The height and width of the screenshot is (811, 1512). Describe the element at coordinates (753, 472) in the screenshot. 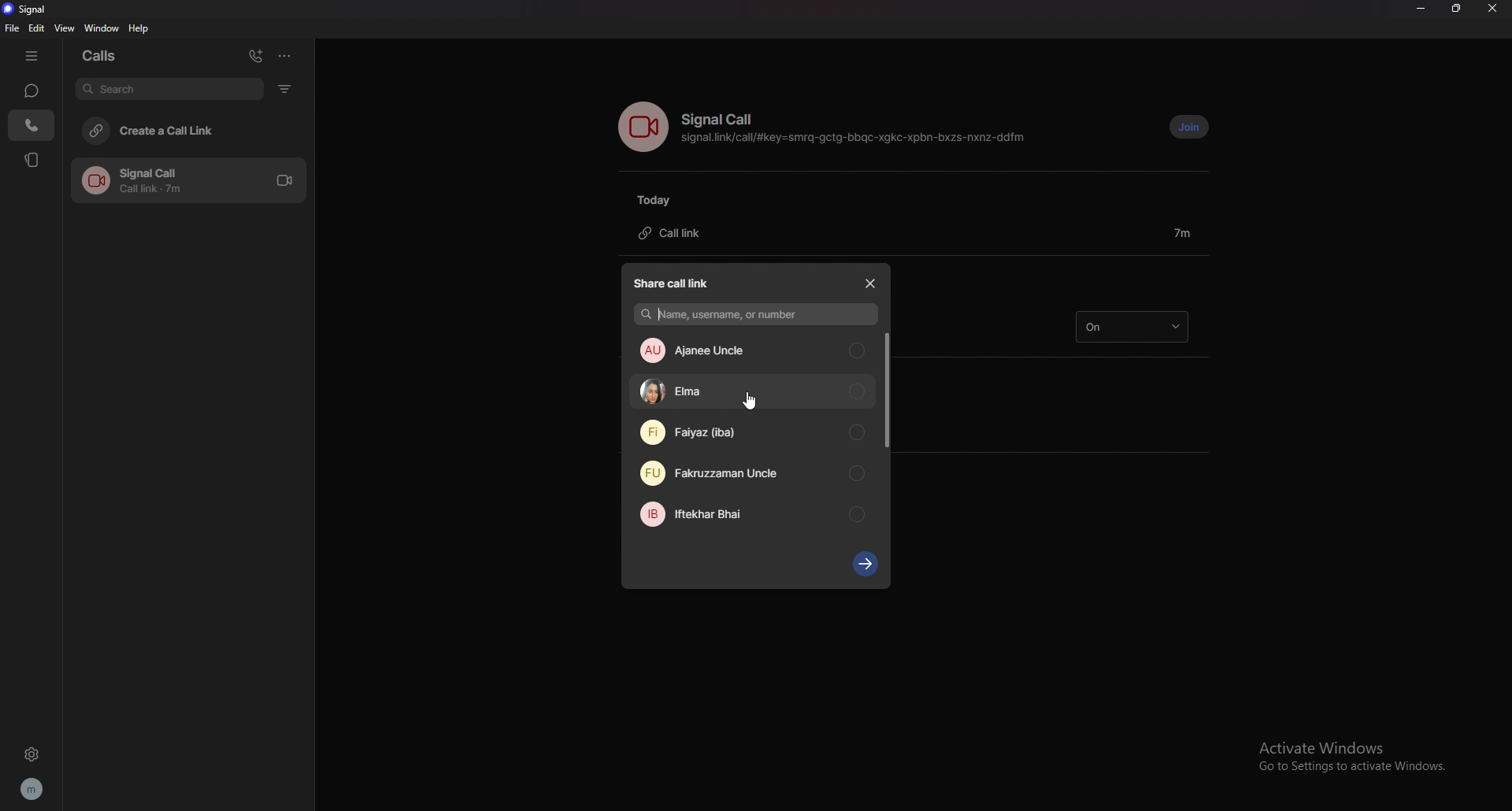

I see `contact` at that location.